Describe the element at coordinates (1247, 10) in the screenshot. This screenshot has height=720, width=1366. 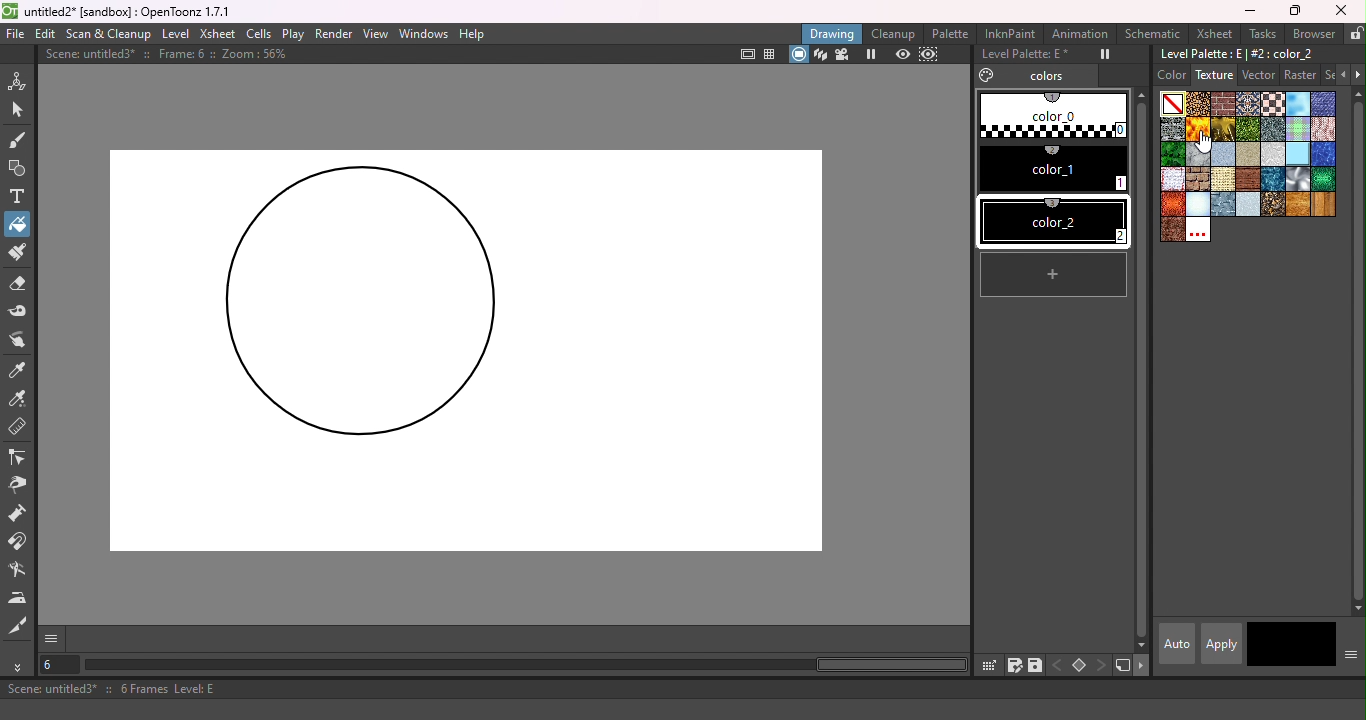
I see `Minimize ` at that location.